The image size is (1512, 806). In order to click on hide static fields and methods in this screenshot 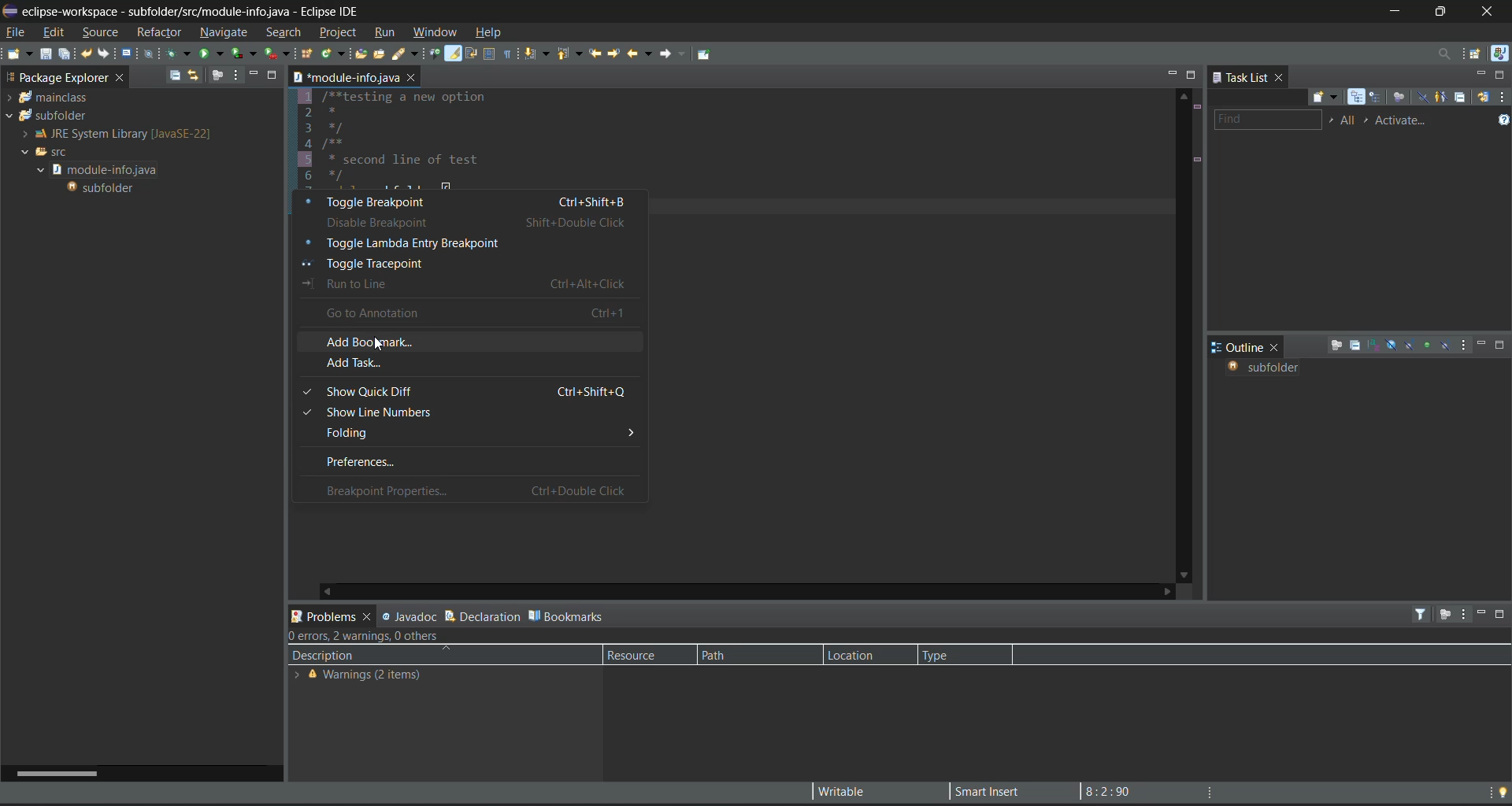, I will do `click(1410, 346)`.